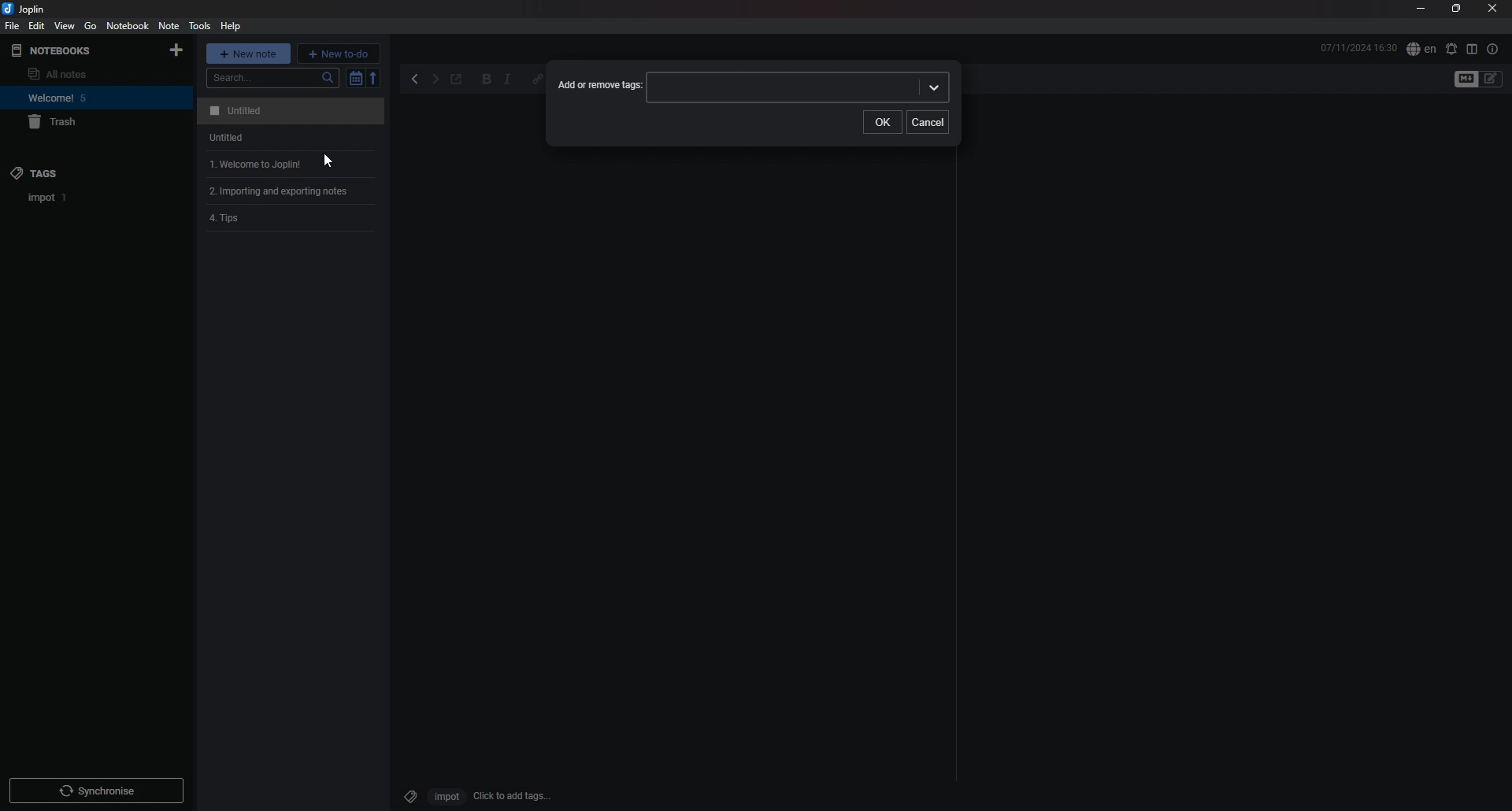 This screenshot has width=1512, height=811. Describe the element at coordinates (76, 172) in the screenshot. I see `tags` at that location.